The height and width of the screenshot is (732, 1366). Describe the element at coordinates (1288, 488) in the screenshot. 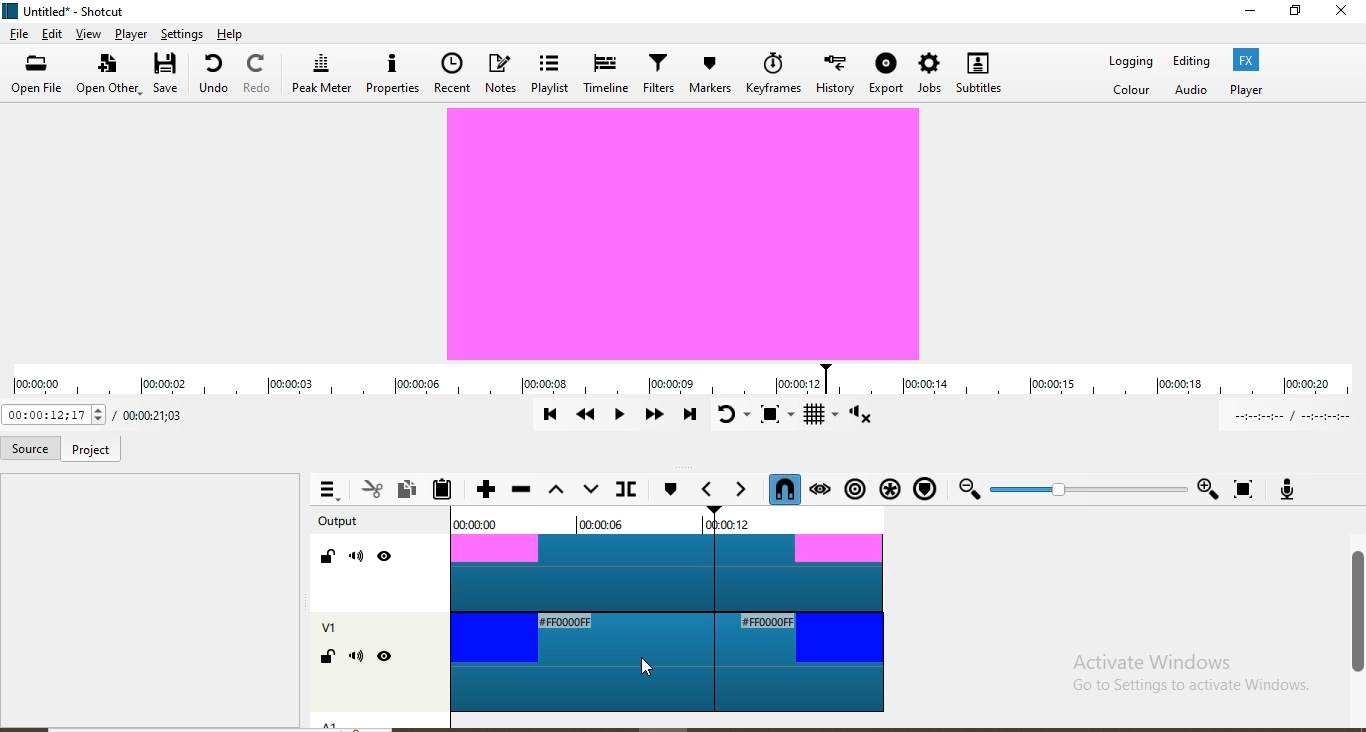

I see `Record audio` at that location.